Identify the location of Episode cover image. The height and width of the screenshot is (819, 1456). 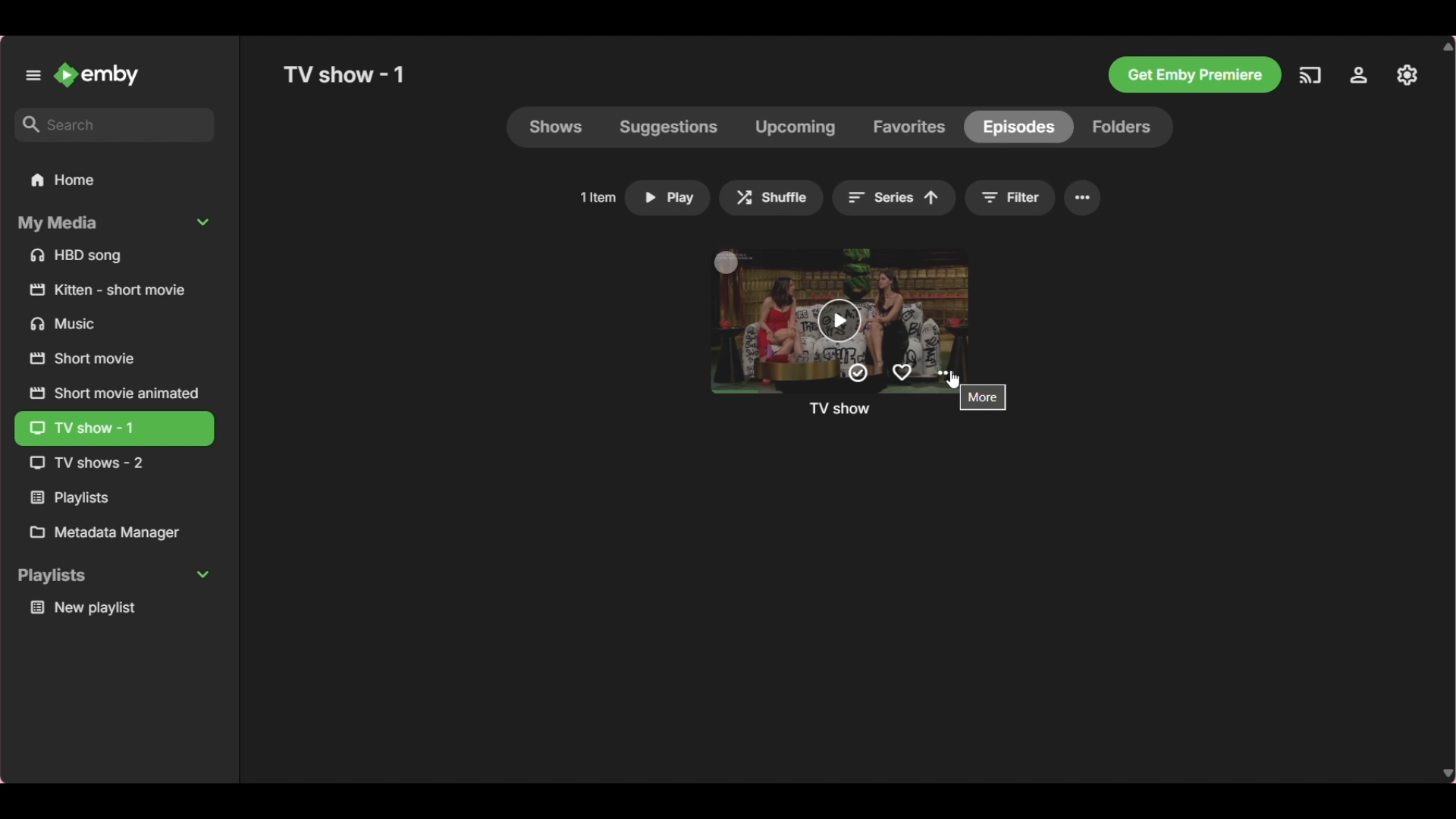
(855, 304).